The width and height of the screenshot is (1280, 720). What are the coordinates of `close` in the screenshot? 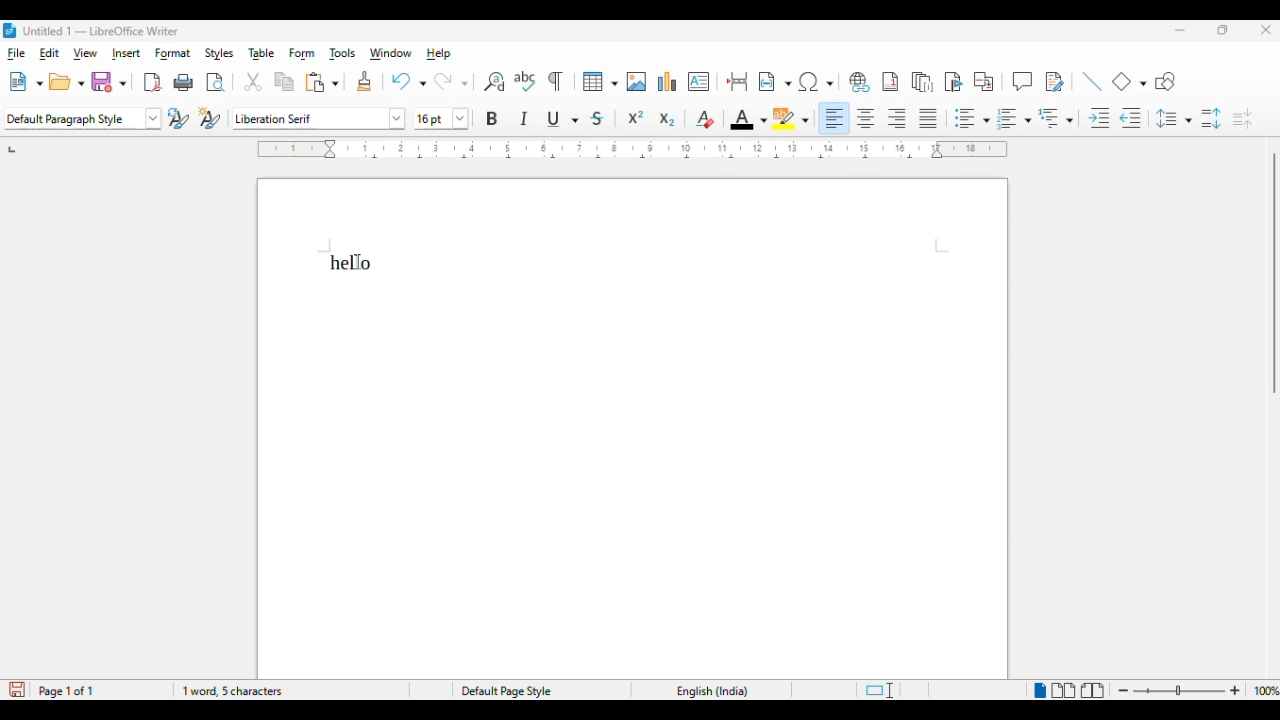 It's located at (1266, 31).